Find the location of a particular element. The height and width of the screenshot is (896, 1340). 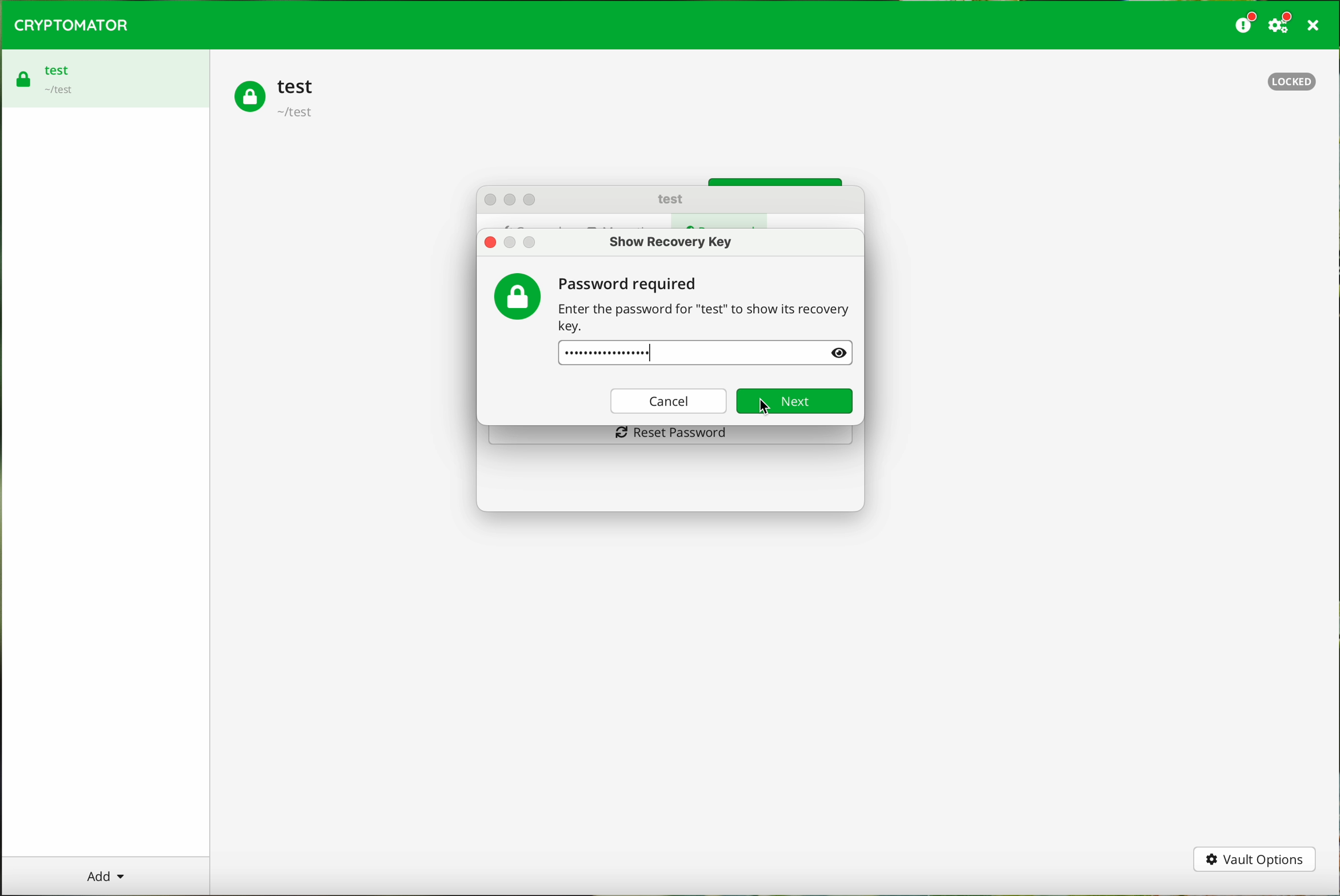

test vault is located at coordinates (49, 75).